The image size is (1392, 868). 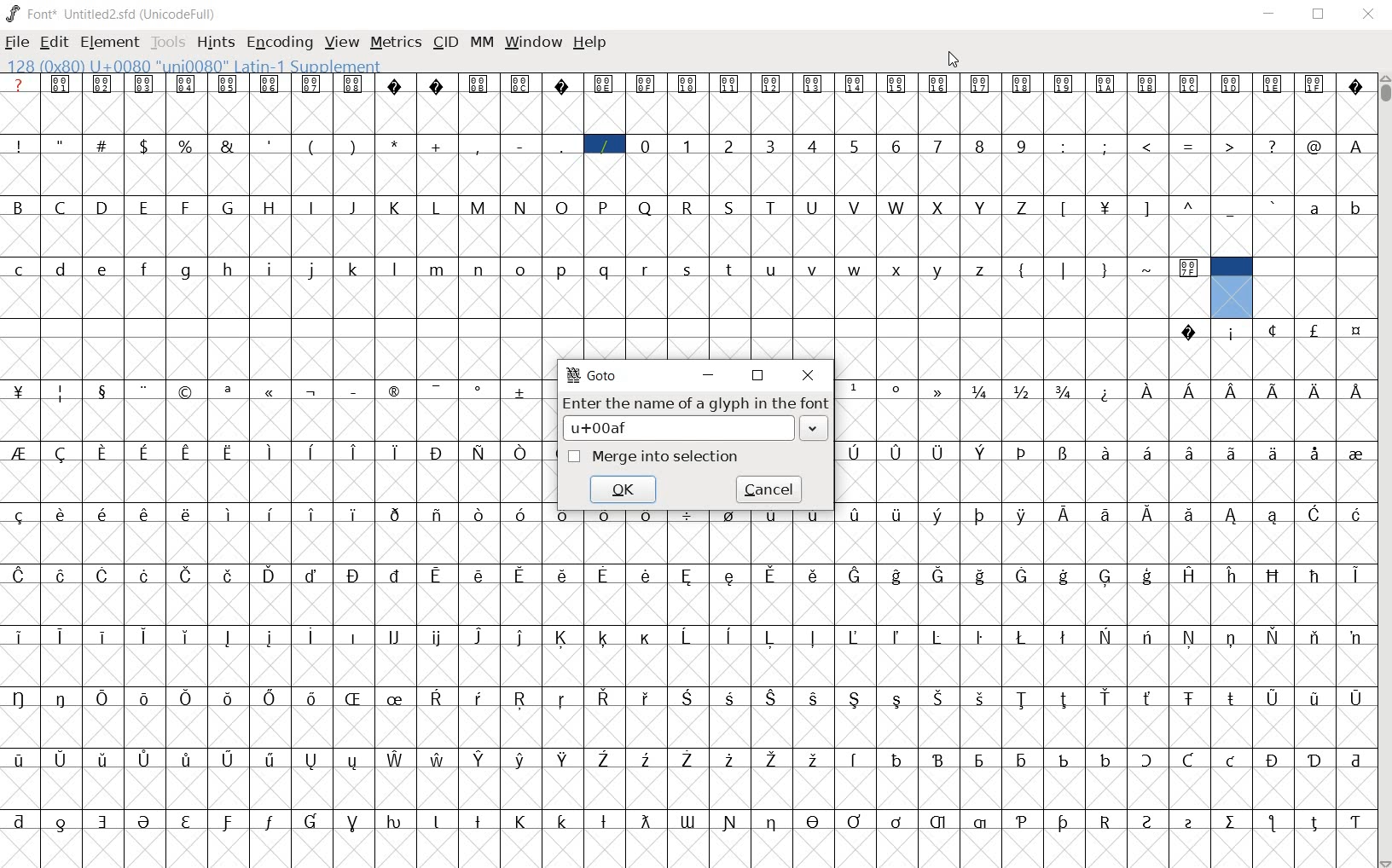 What do you see at coordinates (564, 698) in the screenshot?
I see `Symbol` at bounding box center [564, 698].